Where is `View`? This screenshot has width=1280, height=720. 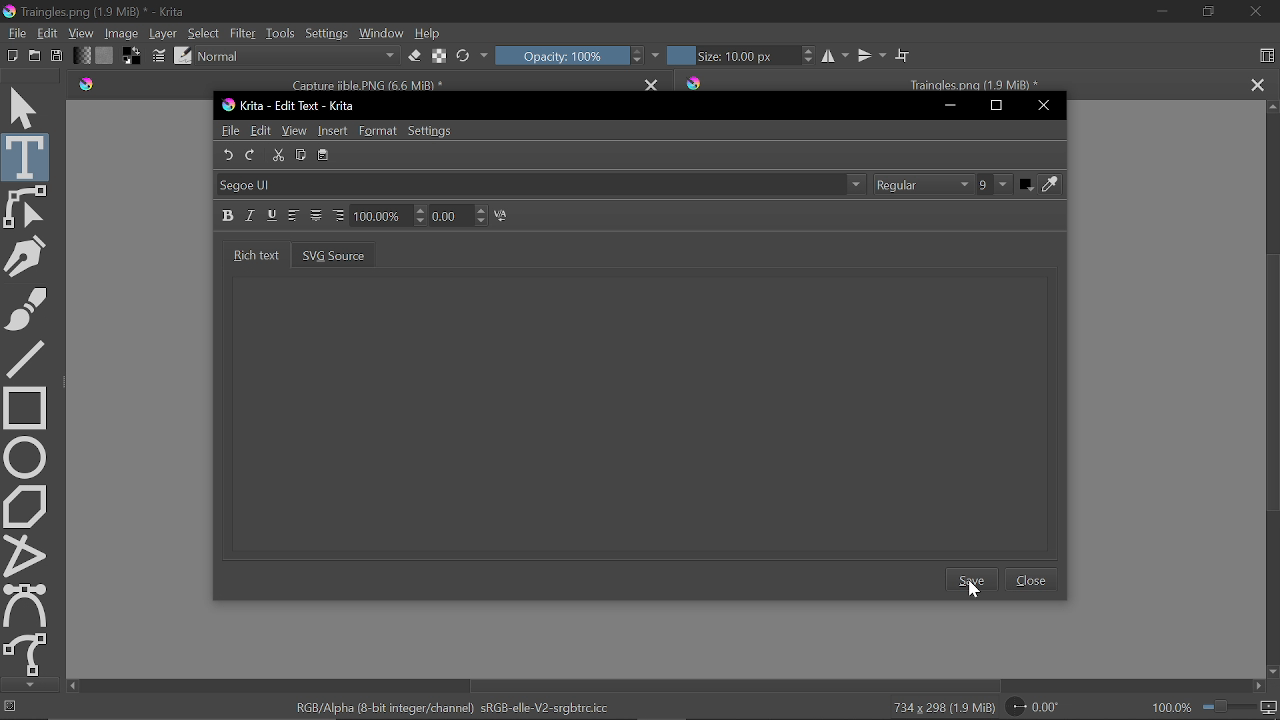 View is located at coordinates (83, 33).